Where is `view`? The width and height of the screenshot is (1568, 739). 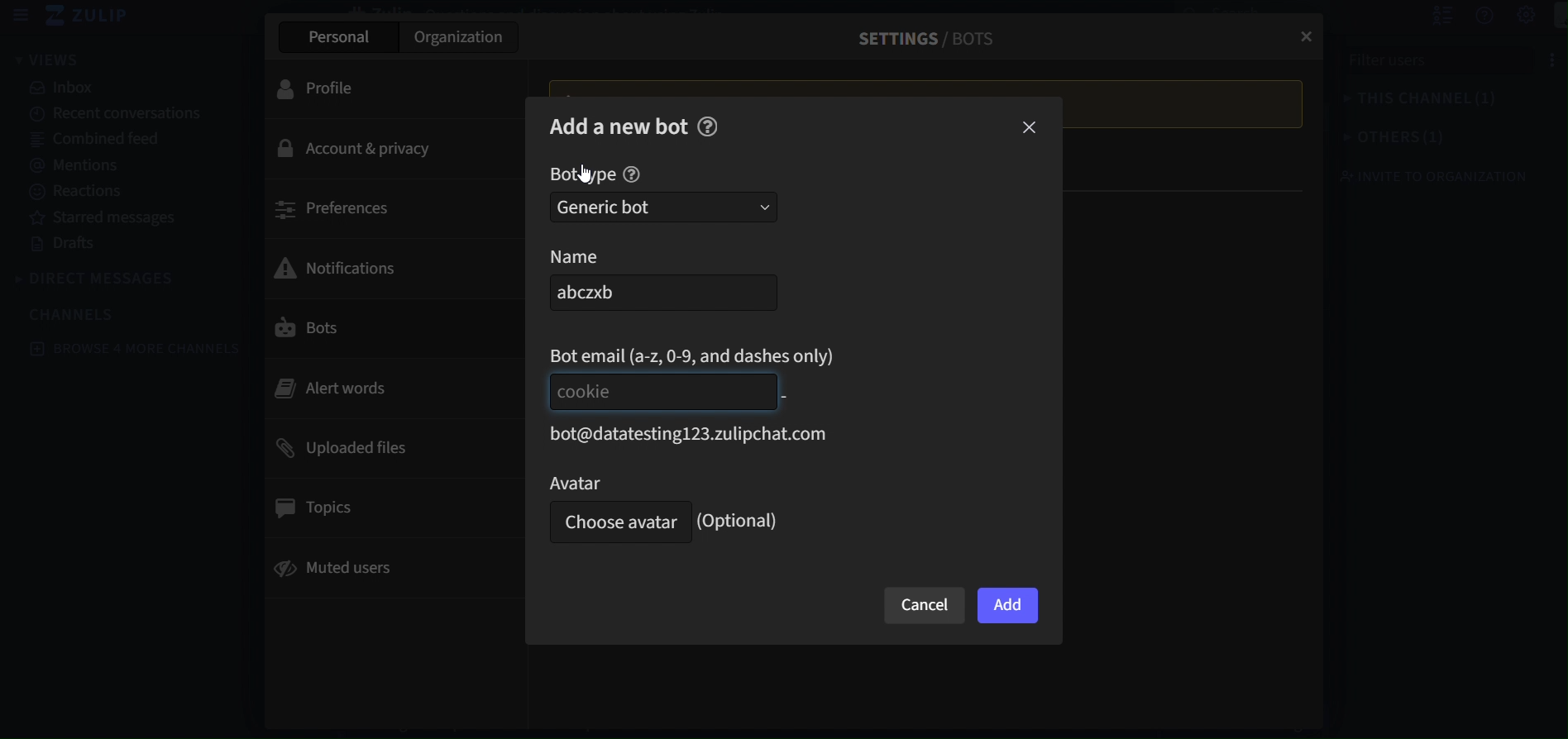
view is located at coordinates (48, 59).